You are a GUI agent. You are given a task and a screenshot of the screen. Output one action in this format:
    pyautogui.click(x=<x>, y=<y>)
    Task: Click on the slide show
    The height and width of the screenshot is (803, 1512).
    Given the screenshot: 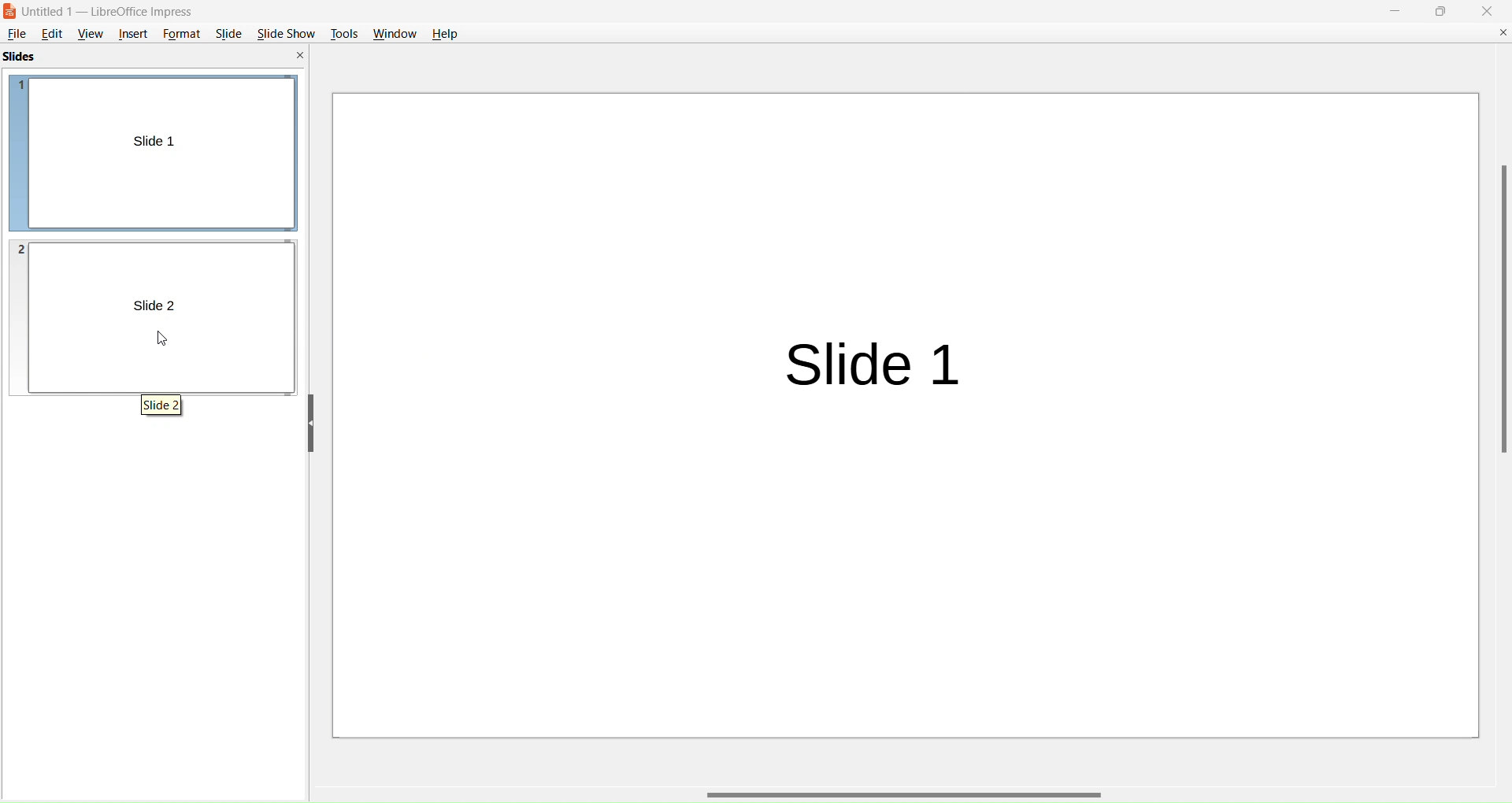 What is the action you would take?
    pyautogui.click(x=287, y=33)
    